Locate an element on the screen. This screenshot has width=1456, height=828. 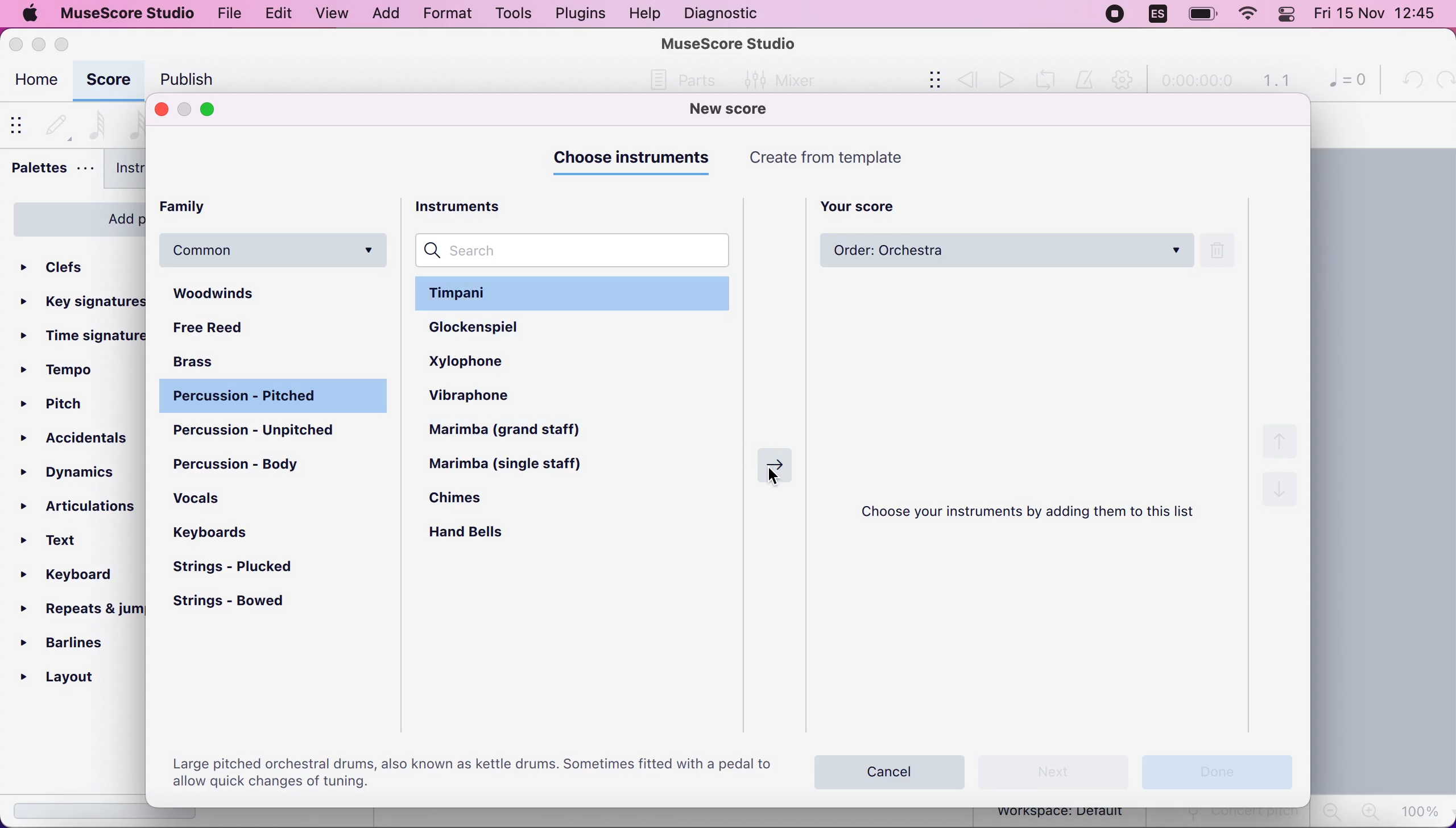
vocals is located at coordinates (214, 503).